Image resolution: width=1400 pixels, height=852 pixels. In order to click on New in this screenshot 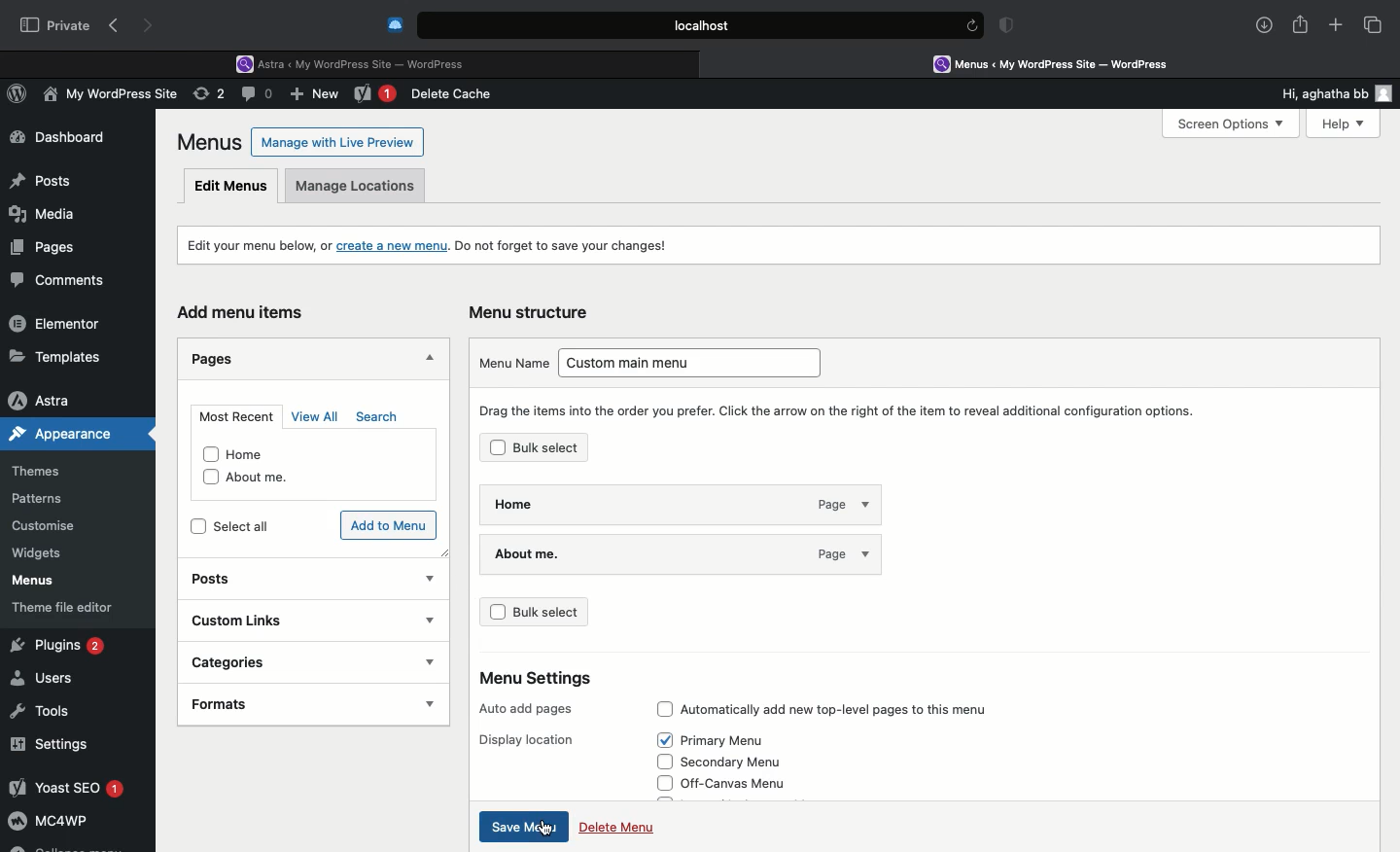, I will do `click(375, 95)`.